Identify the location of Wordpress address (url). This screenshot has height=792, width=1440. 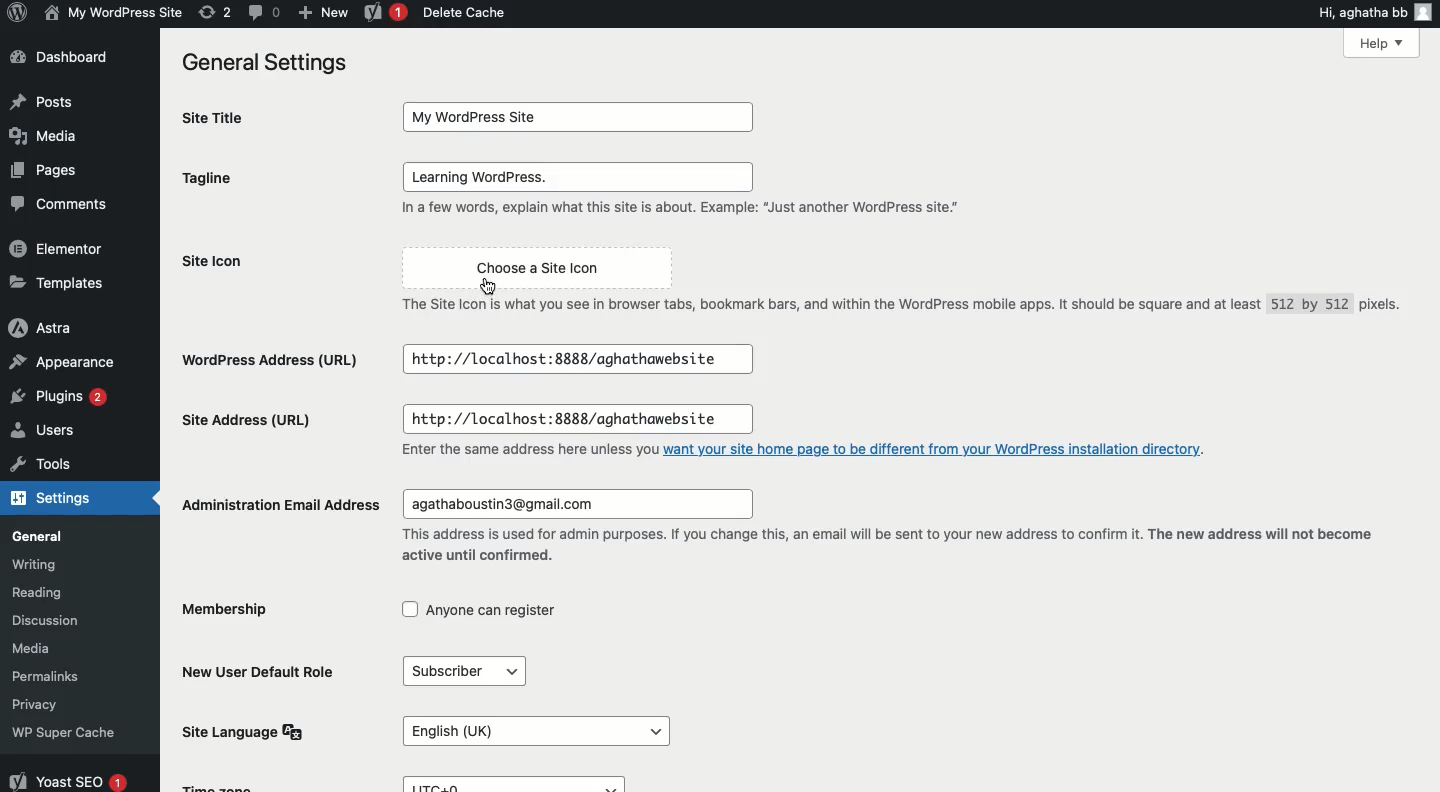
(270, 359).